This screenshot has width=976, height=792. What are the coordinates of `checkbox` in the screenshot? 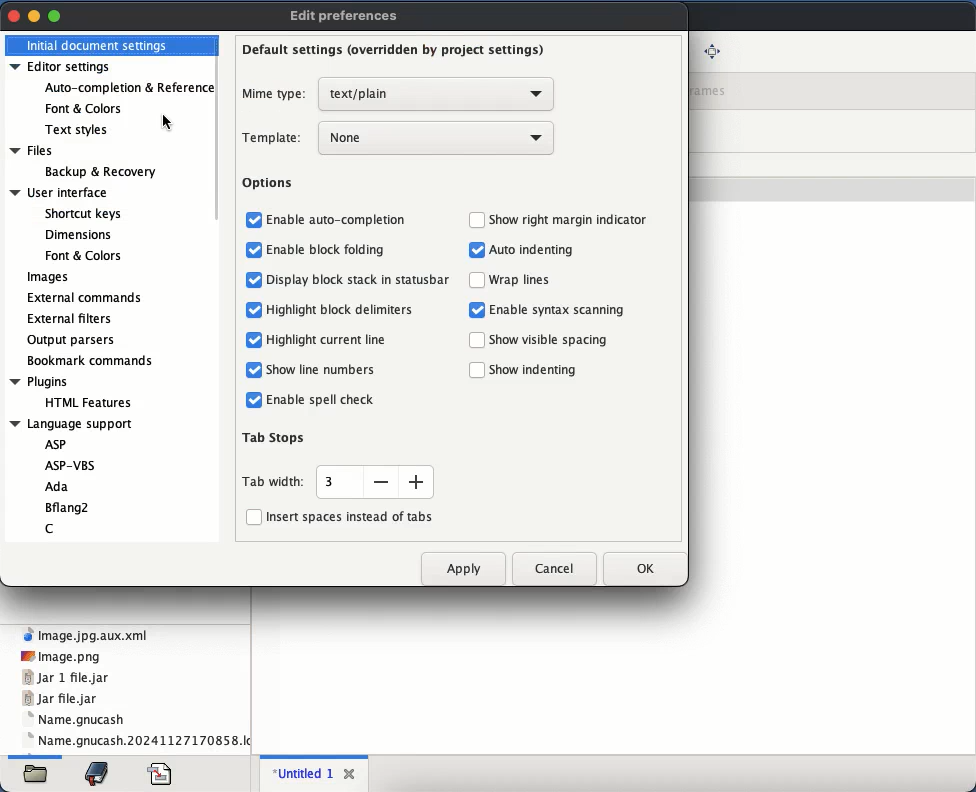 It's located at (250, 517).